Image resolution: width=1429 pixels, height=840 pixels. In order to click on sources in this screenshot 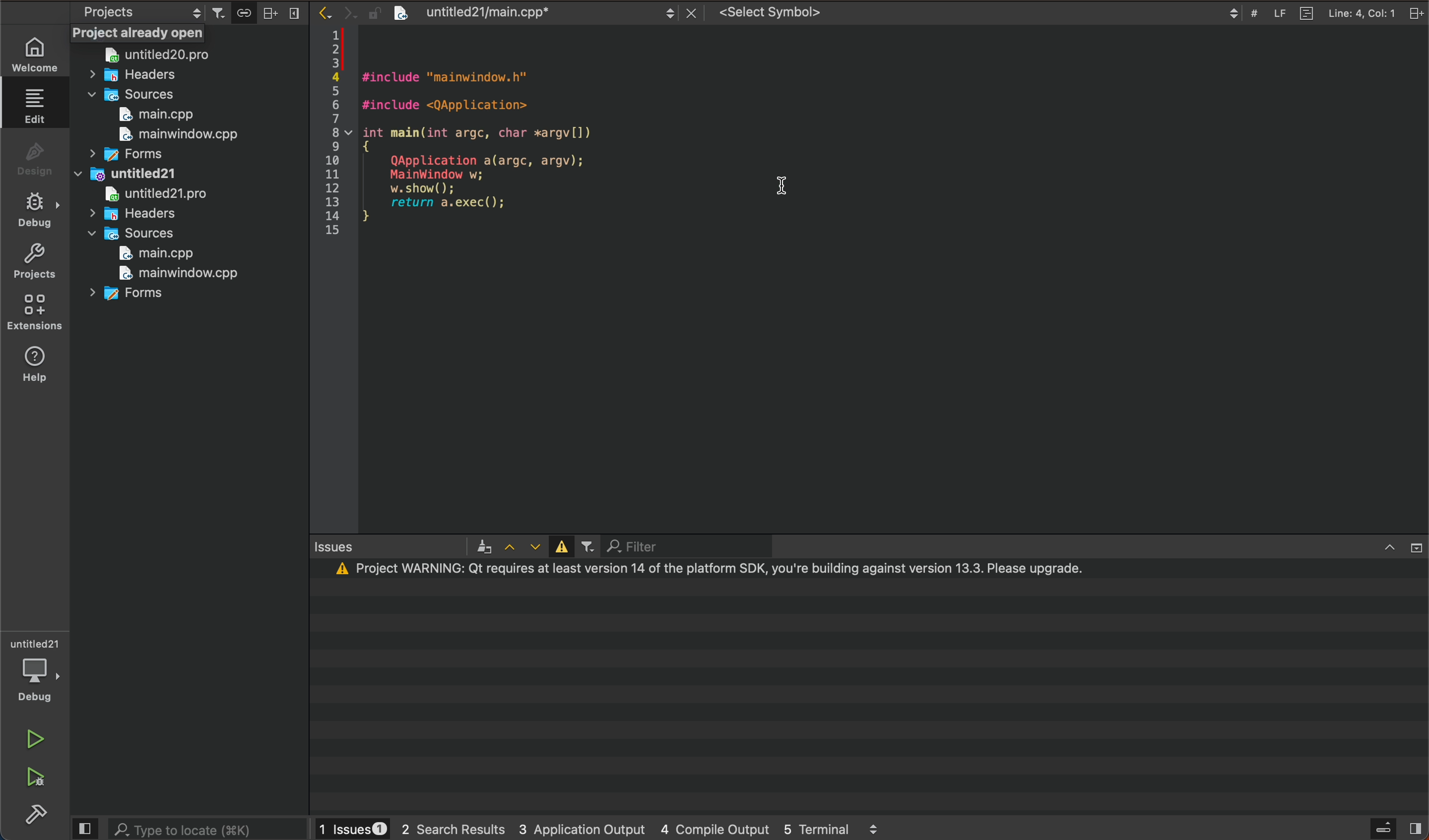, I will do `click(137, 232)`.